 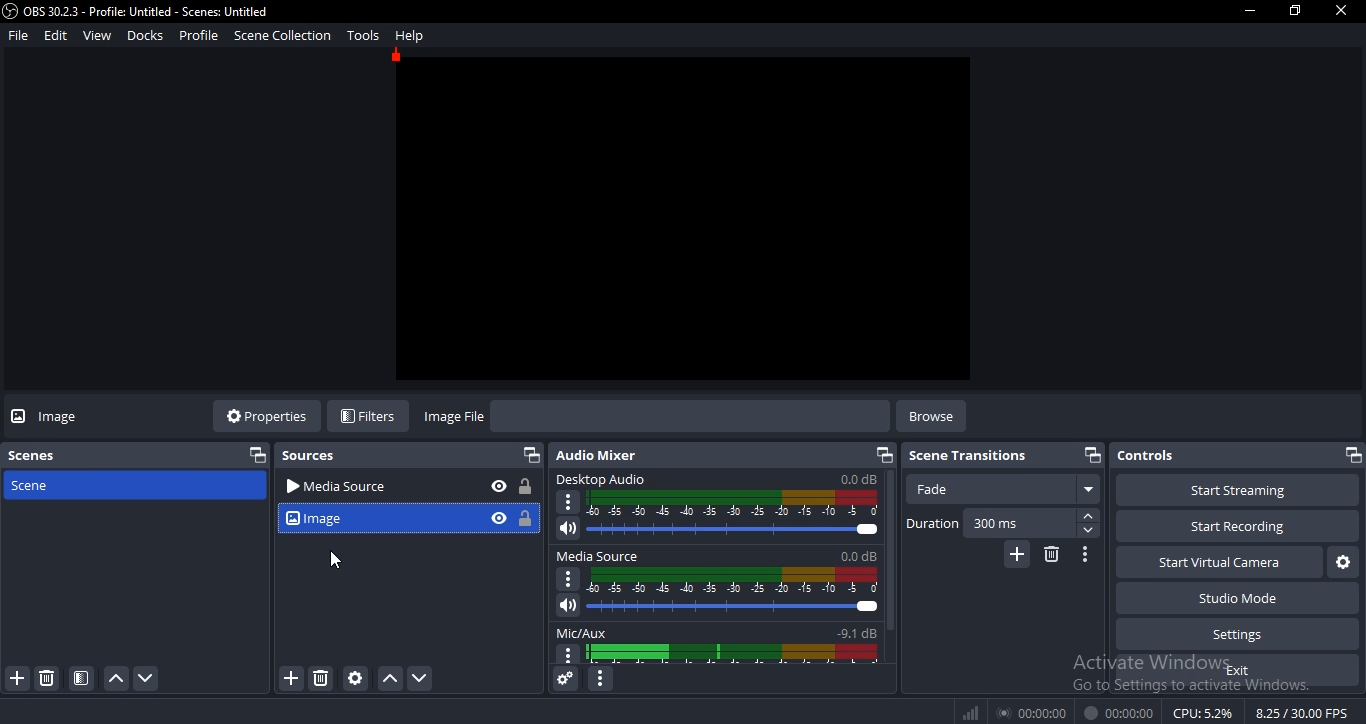 What do you see at coordinates (452, 417) in the screenshot?
I see `image file` at bounding box center [452, 417].